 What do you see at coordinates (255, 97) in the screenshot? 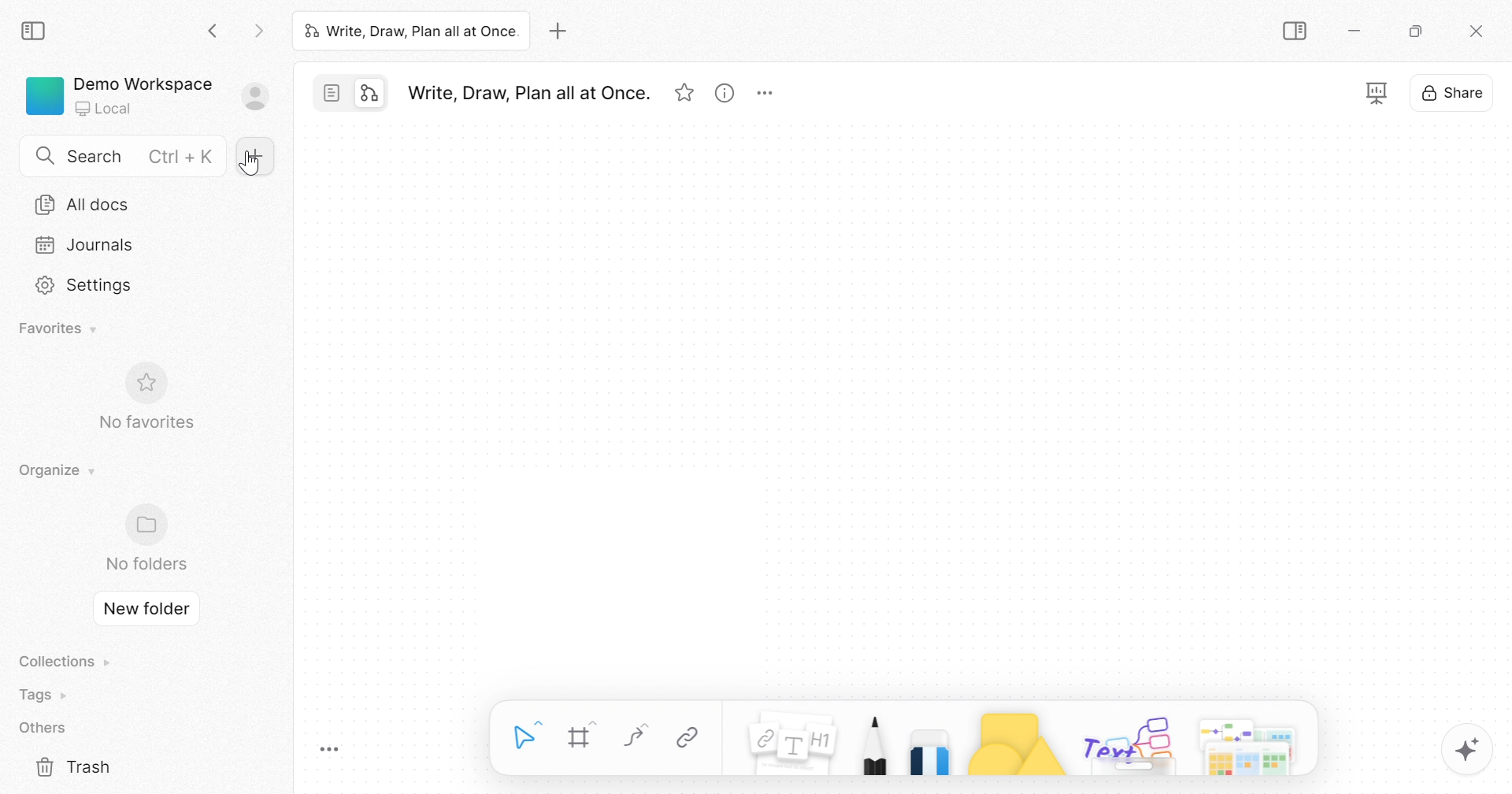
I see `Sign in` at bounding box center [255, 97].